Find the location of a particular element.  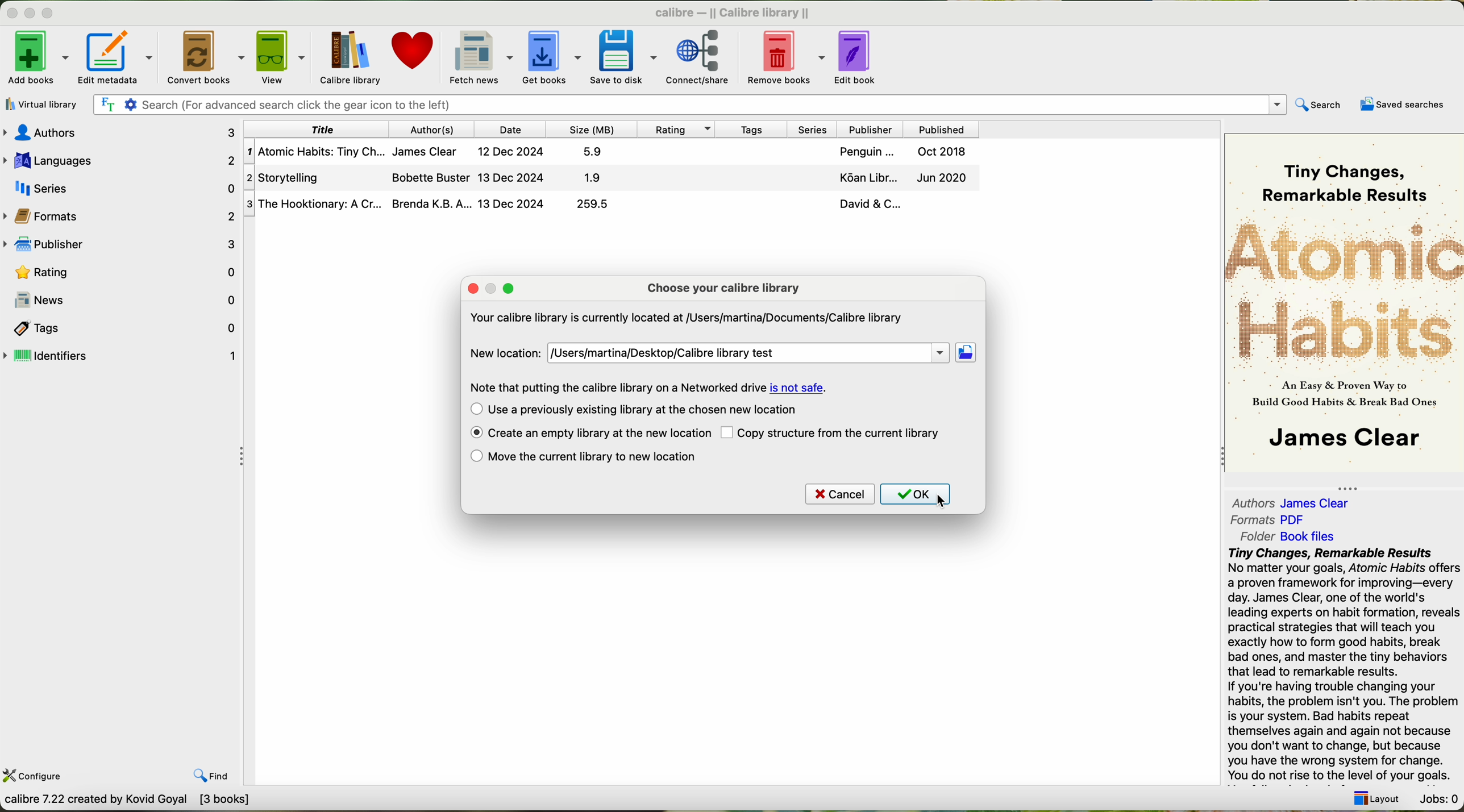

Jobs: 0 is located at coordinates (1437, 796).